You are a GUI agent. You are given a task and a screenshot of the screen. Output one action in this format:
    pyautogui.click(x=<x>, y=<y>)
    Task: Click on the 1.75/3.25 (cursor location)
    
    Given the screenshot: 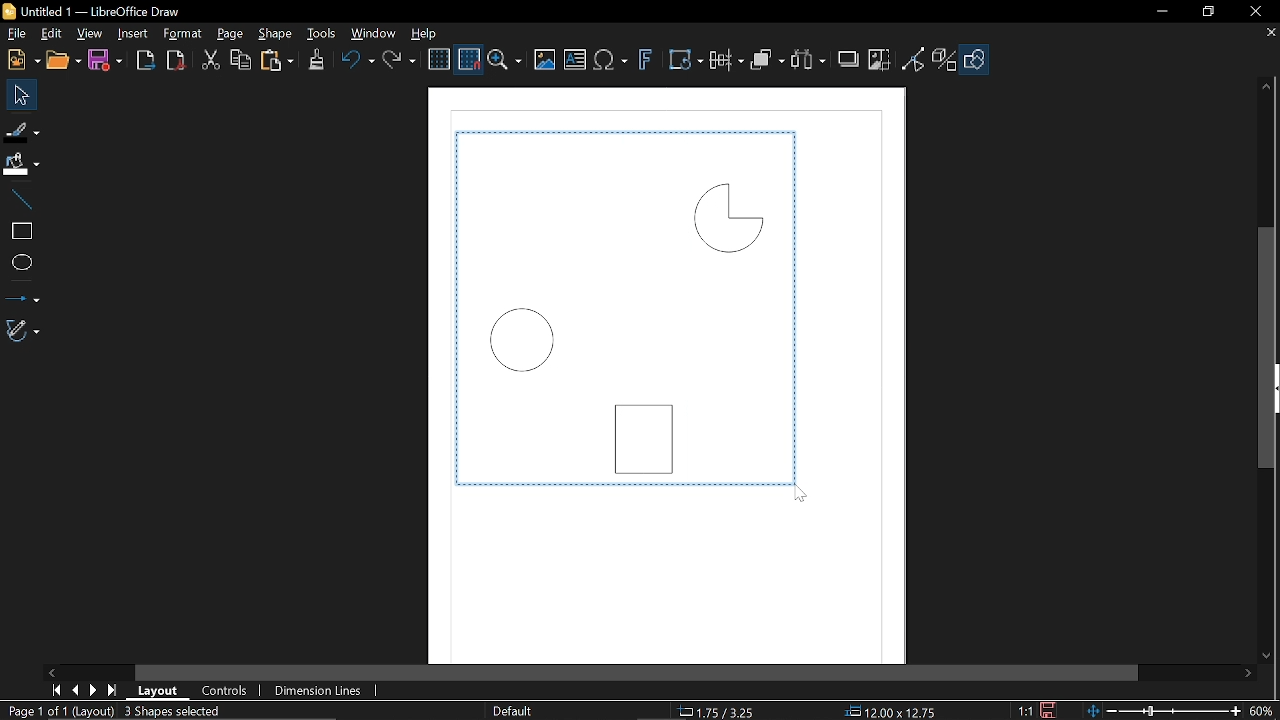 What is the action you would take?
    pyautogui.click(x=721, y=709)
    